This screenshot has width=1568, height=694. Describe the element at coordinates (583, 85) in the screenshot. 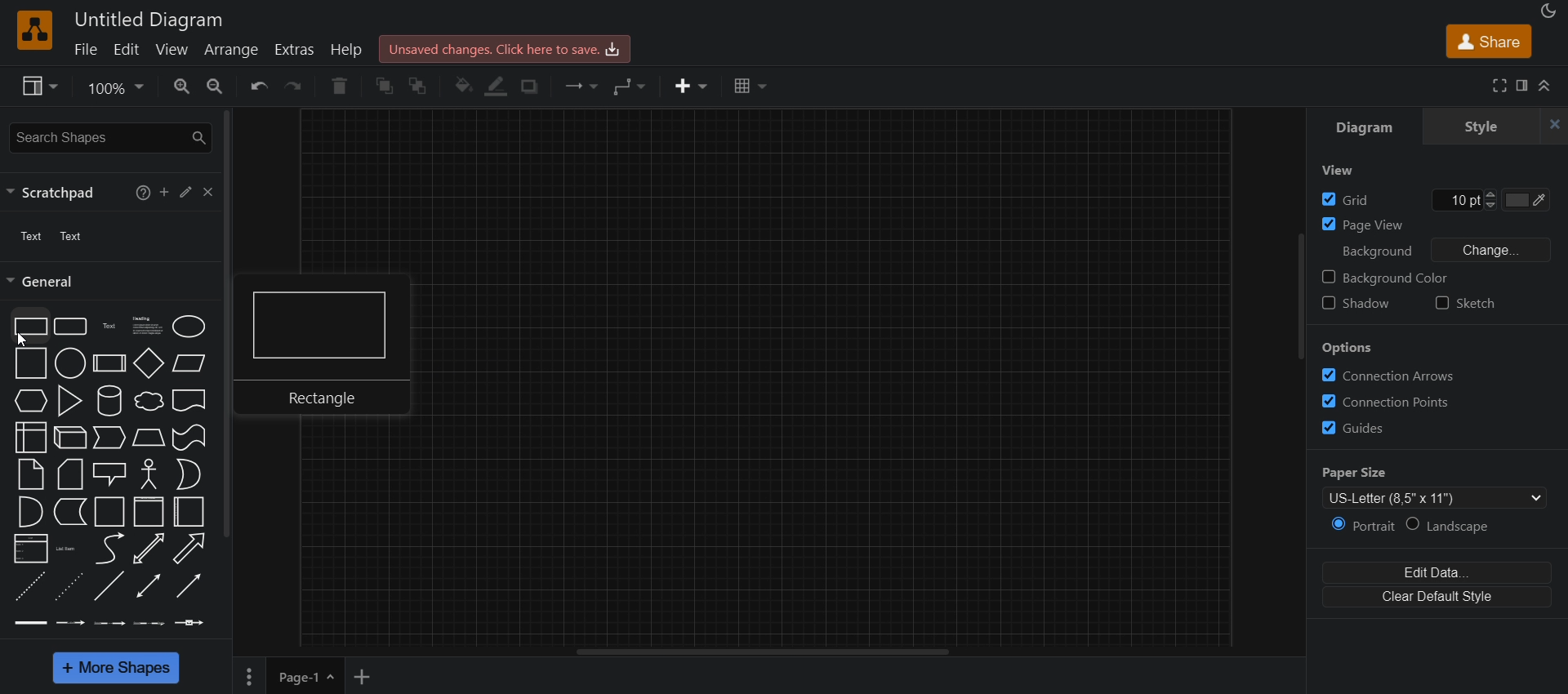

I see `connection` at that location.